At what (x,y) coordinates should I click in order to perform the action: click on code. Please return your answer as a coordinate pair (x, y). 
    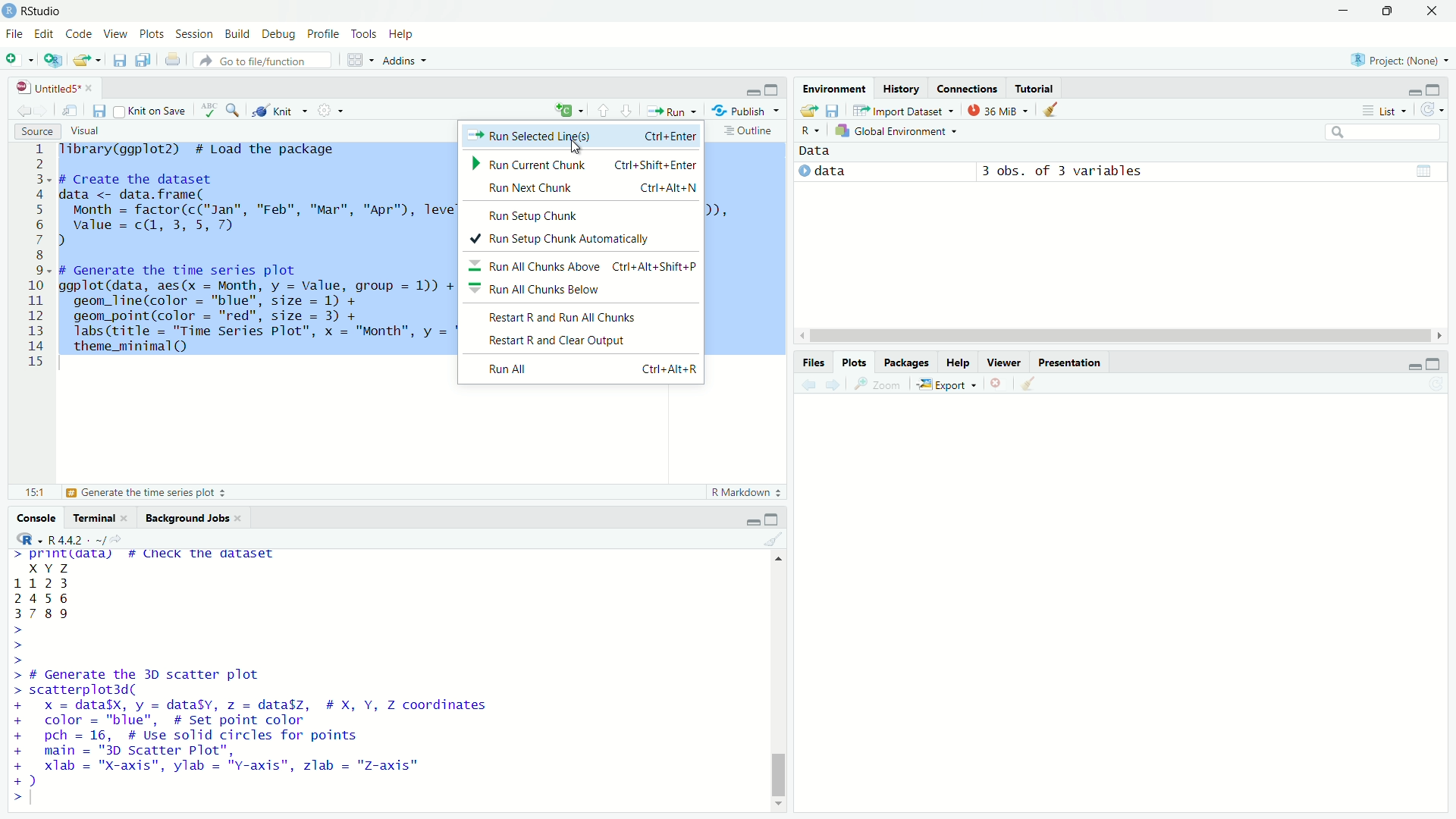
    Looking at the image, I should click on (79, 33).